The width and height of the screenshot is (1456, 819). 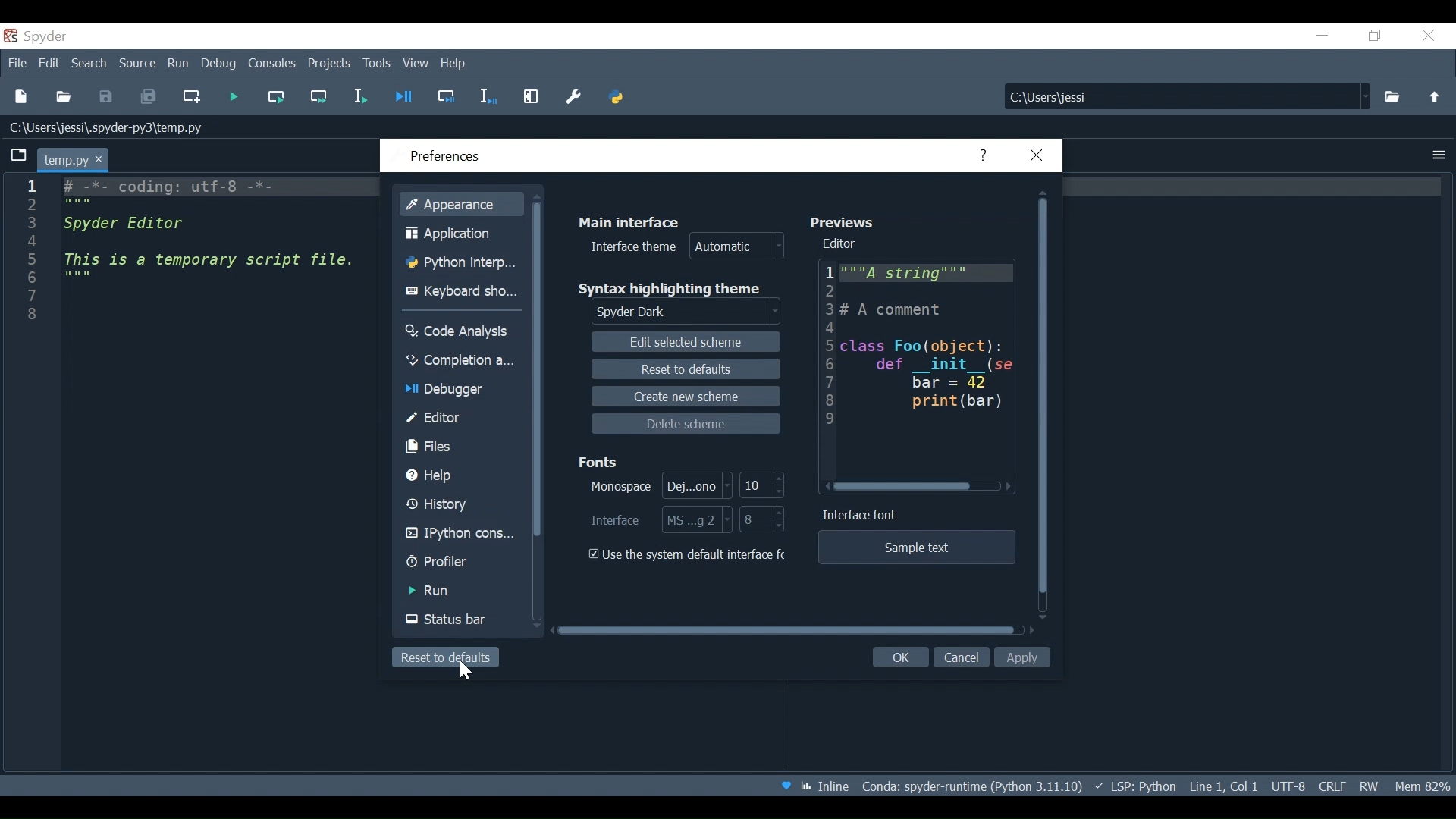 I want to click on Profiler, so click(x=460, y=563).